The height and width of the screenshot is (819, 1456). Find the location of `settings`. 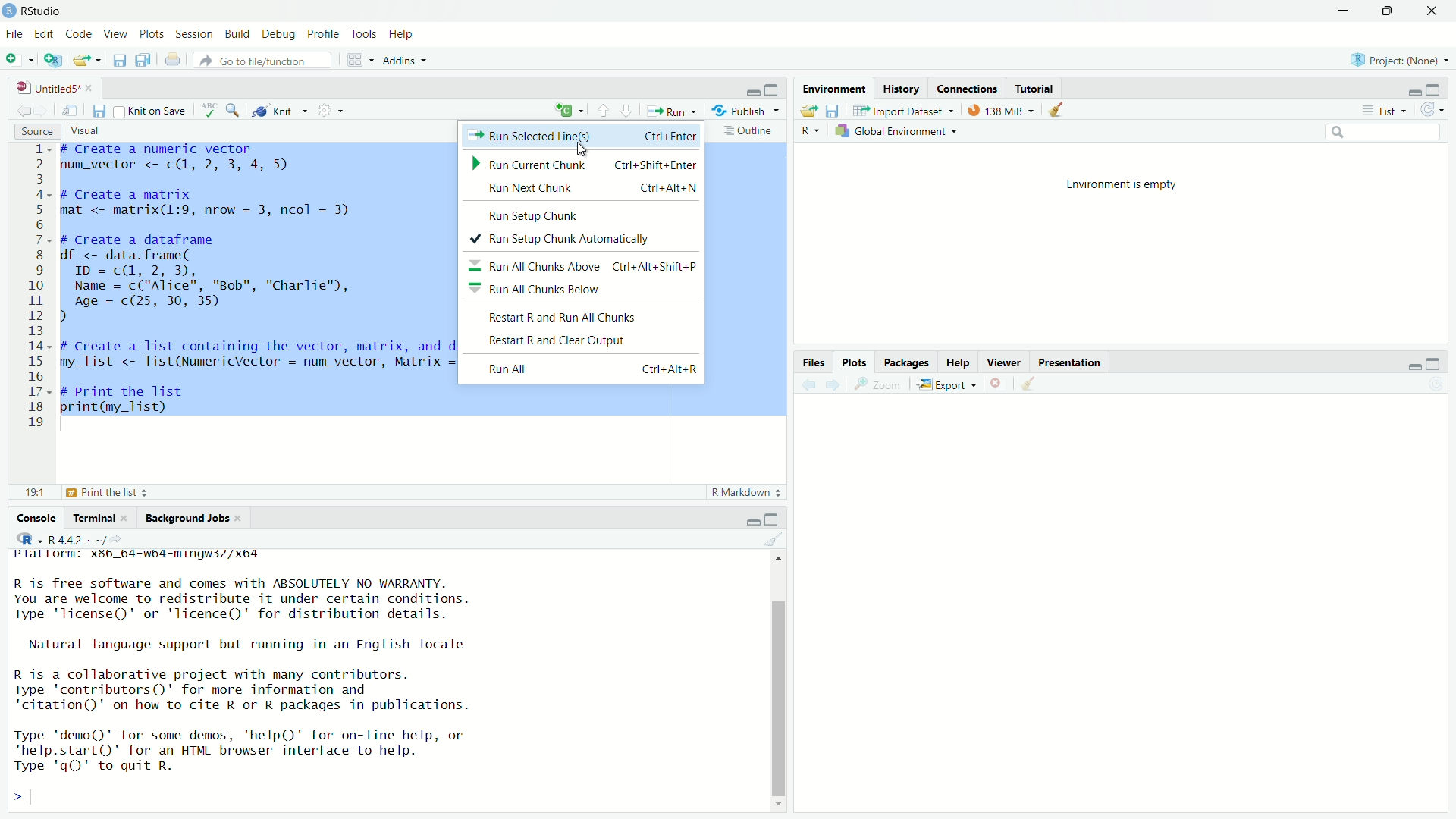

settings is located at coordinates (333, 112).